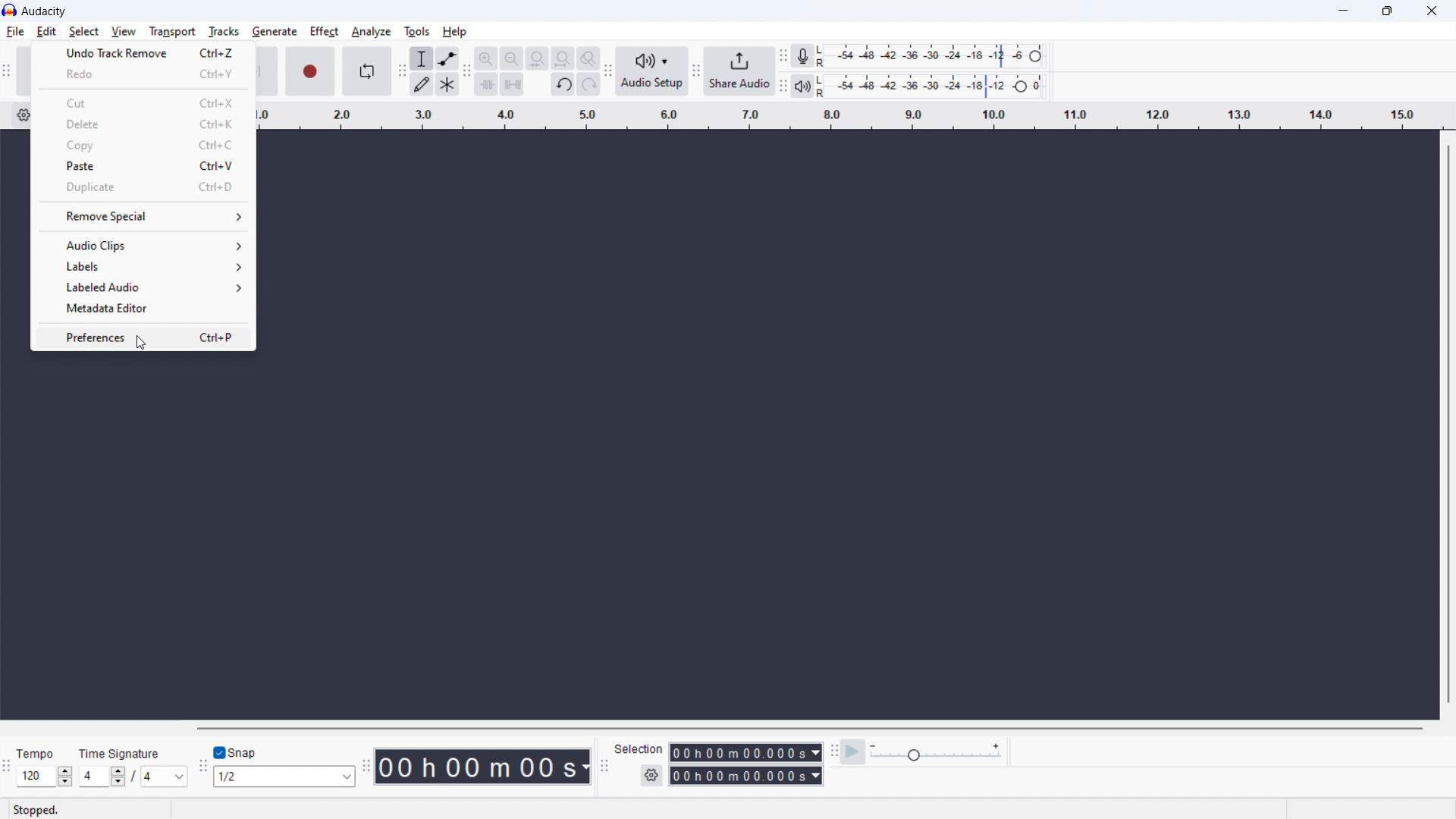  What do you see at coordinates (324, 31) in the screenshot?
I see `effect` at bounding box center [324, 31].